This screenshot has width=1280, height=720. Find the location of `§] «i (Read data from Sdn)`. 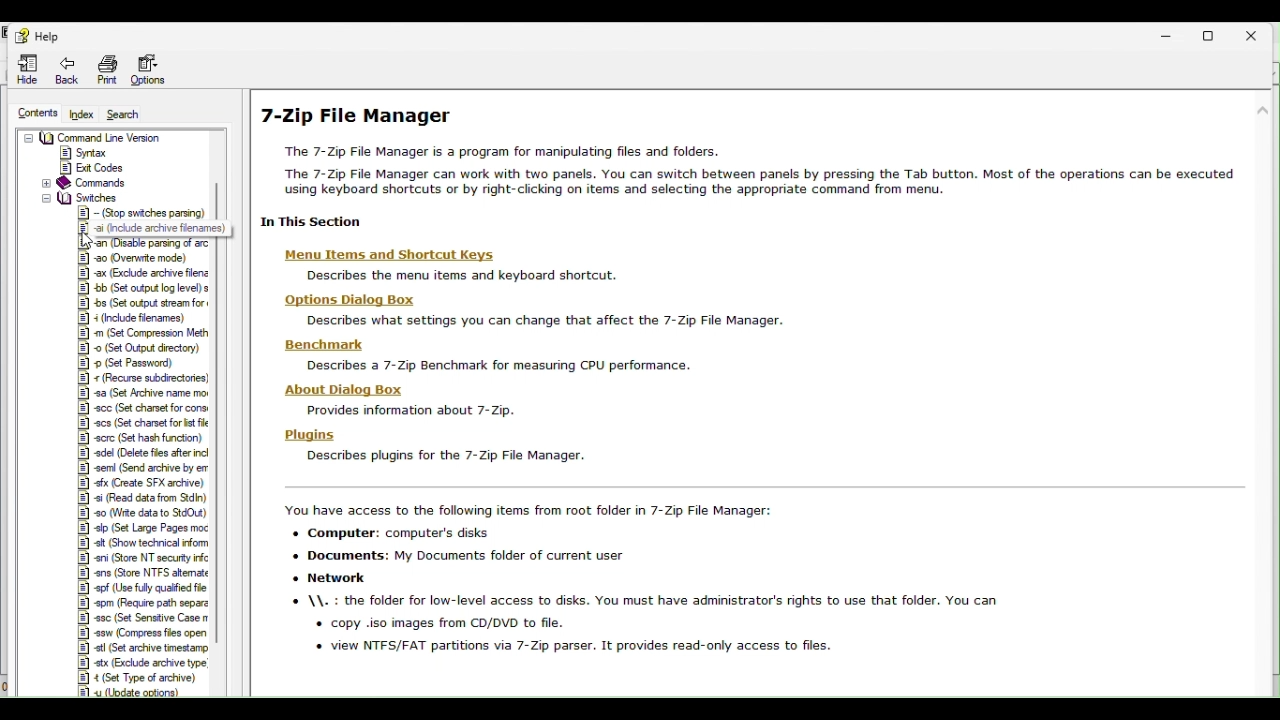

§] «i (Read data from Sdn) is located at coordinates (145, 497).